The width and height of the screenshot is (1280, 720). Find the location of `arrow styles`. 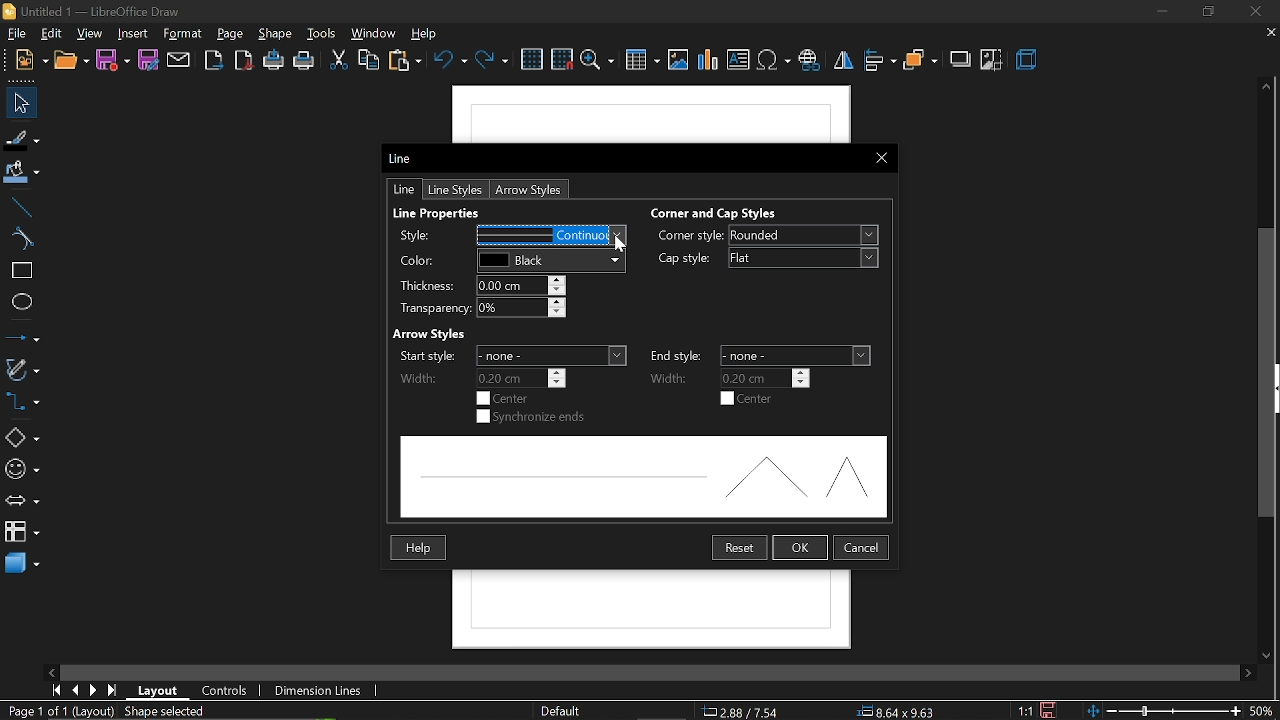

arrow styles is located at coordinates (527, 190).